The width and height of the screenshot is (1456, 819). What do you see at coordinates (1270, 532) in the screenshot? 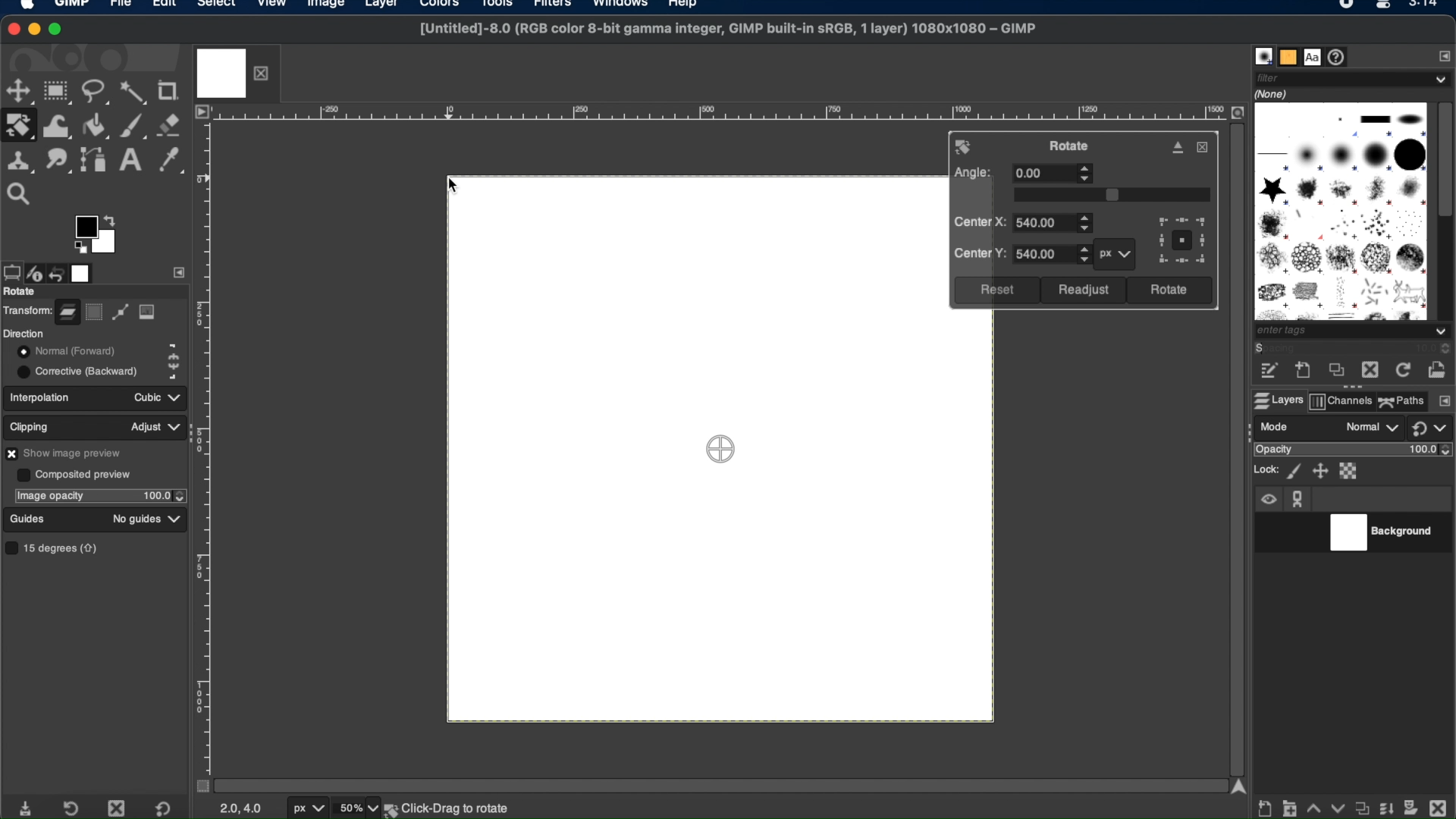
I see `visibility toggle` at bounding box center [1270, 532].